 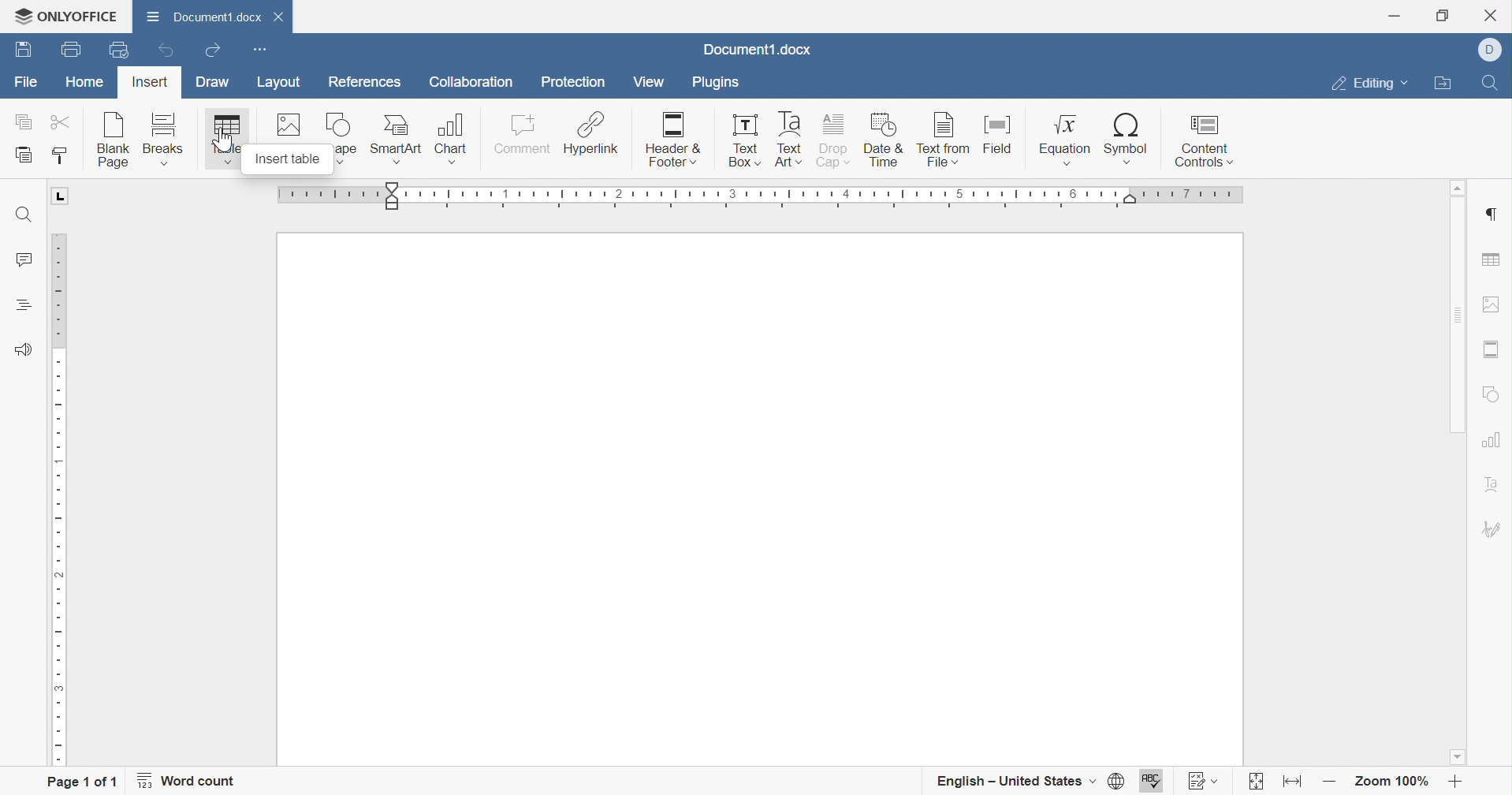 What do you see at coordinates (758, 50) in the screenshot?
I see `Docuemnt1.docx` at bounding box center [758, 50].